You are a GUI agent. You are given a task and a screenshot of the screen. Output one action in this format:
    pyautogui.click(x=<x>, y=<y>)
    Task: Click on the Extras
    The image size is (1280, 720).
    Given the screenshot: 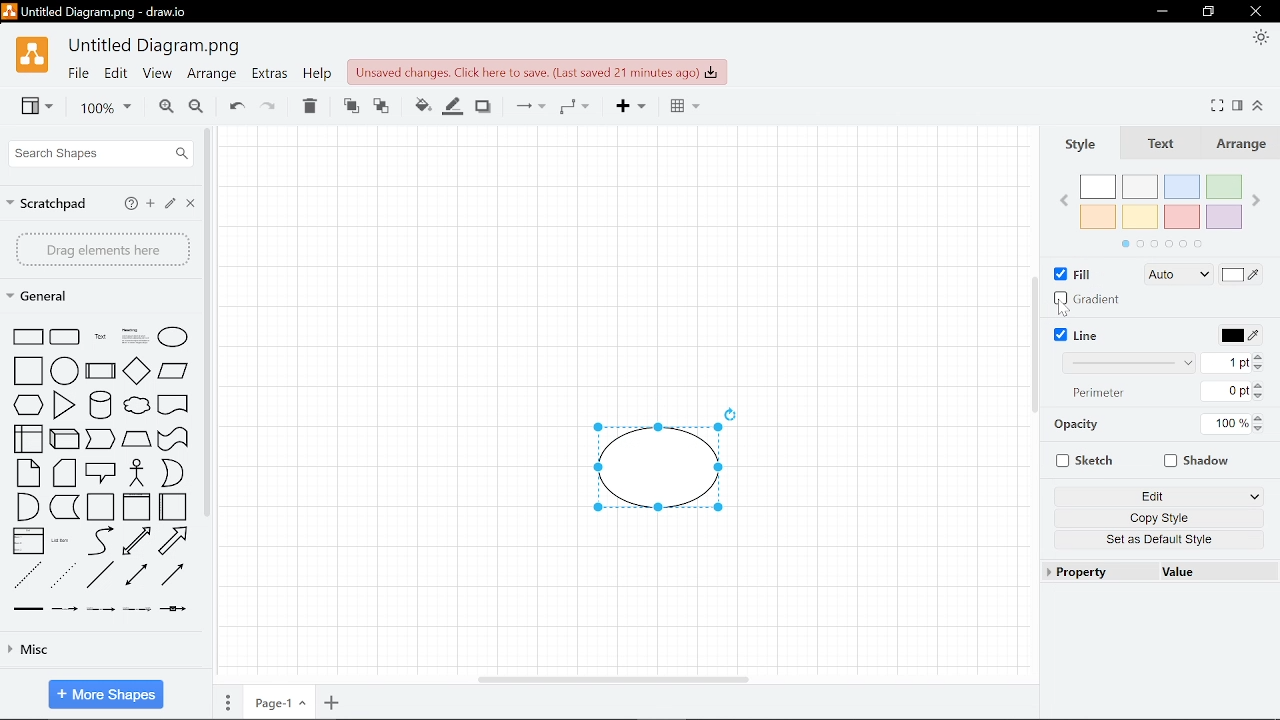 What is the action you would take?
    pyautogui.click(x=269, y=74)
    